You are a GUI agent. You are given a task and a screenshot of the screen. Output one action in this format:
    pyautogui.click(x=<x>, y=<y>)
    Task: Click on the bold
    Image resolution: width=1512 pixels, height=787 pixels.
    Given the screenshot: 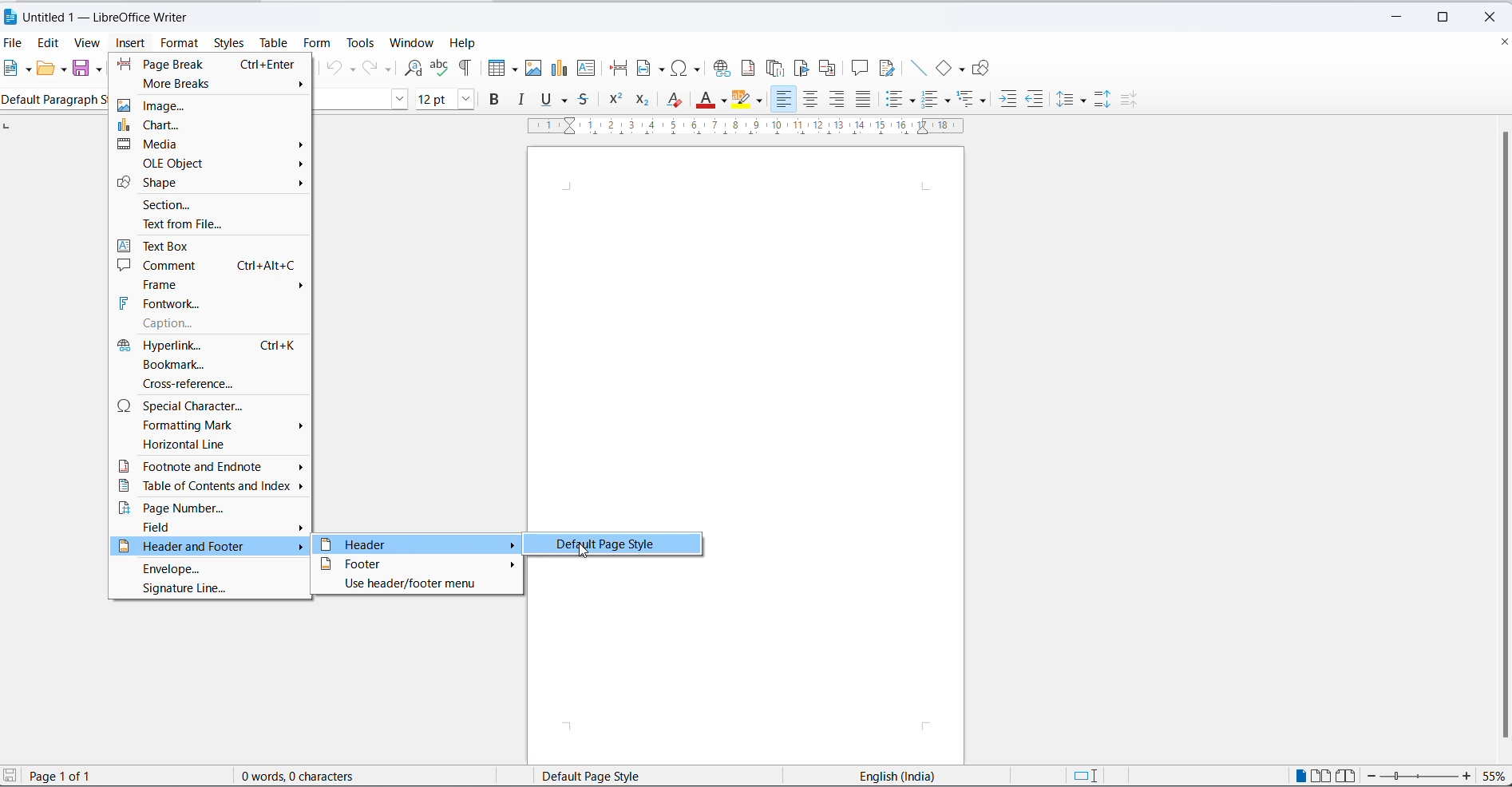 What is the action you would take?
    pyautogui.click(x=498, y=100)
    